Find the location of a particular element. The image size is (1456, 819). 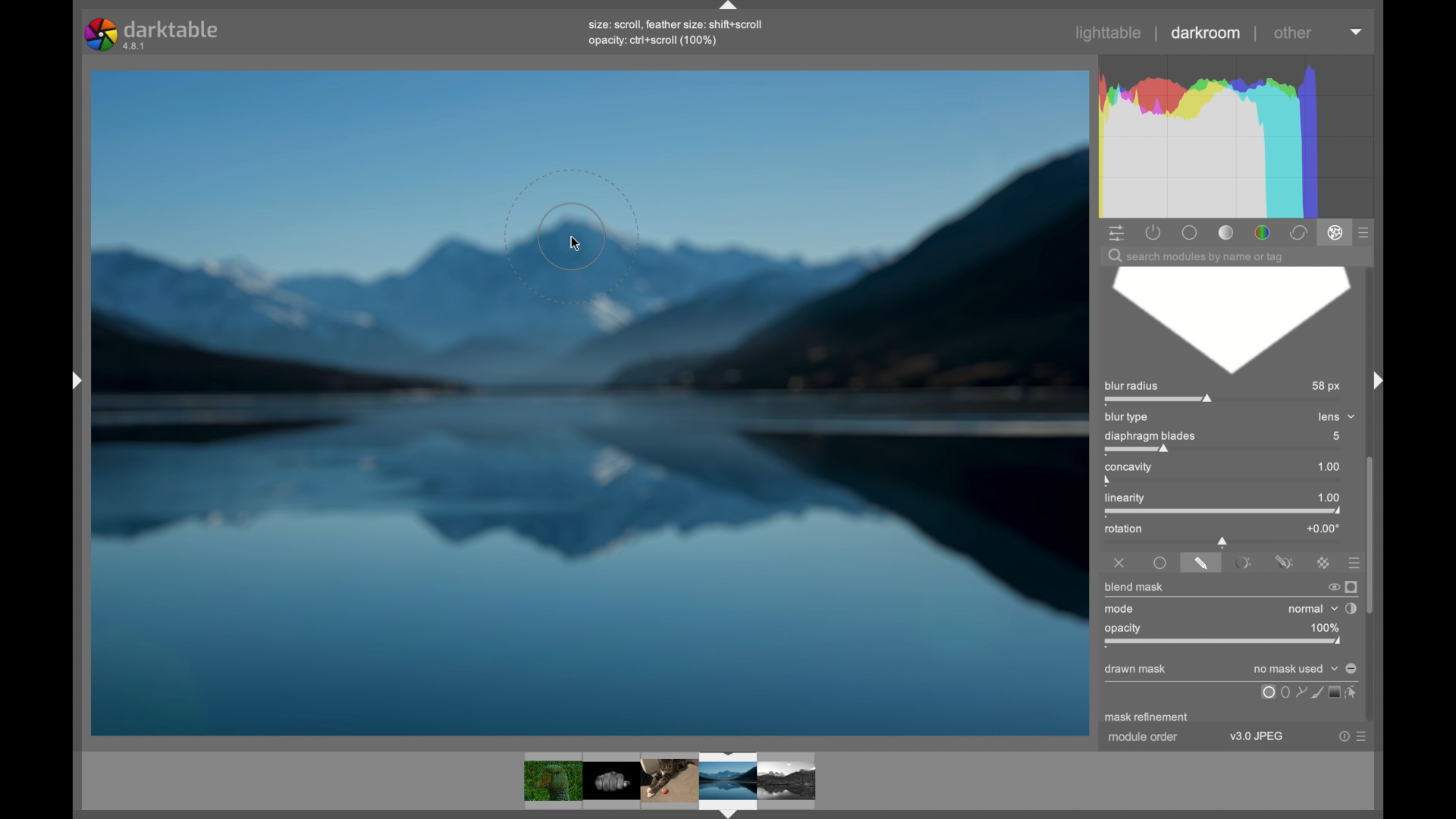

other is located at coordinates (1293, 33).